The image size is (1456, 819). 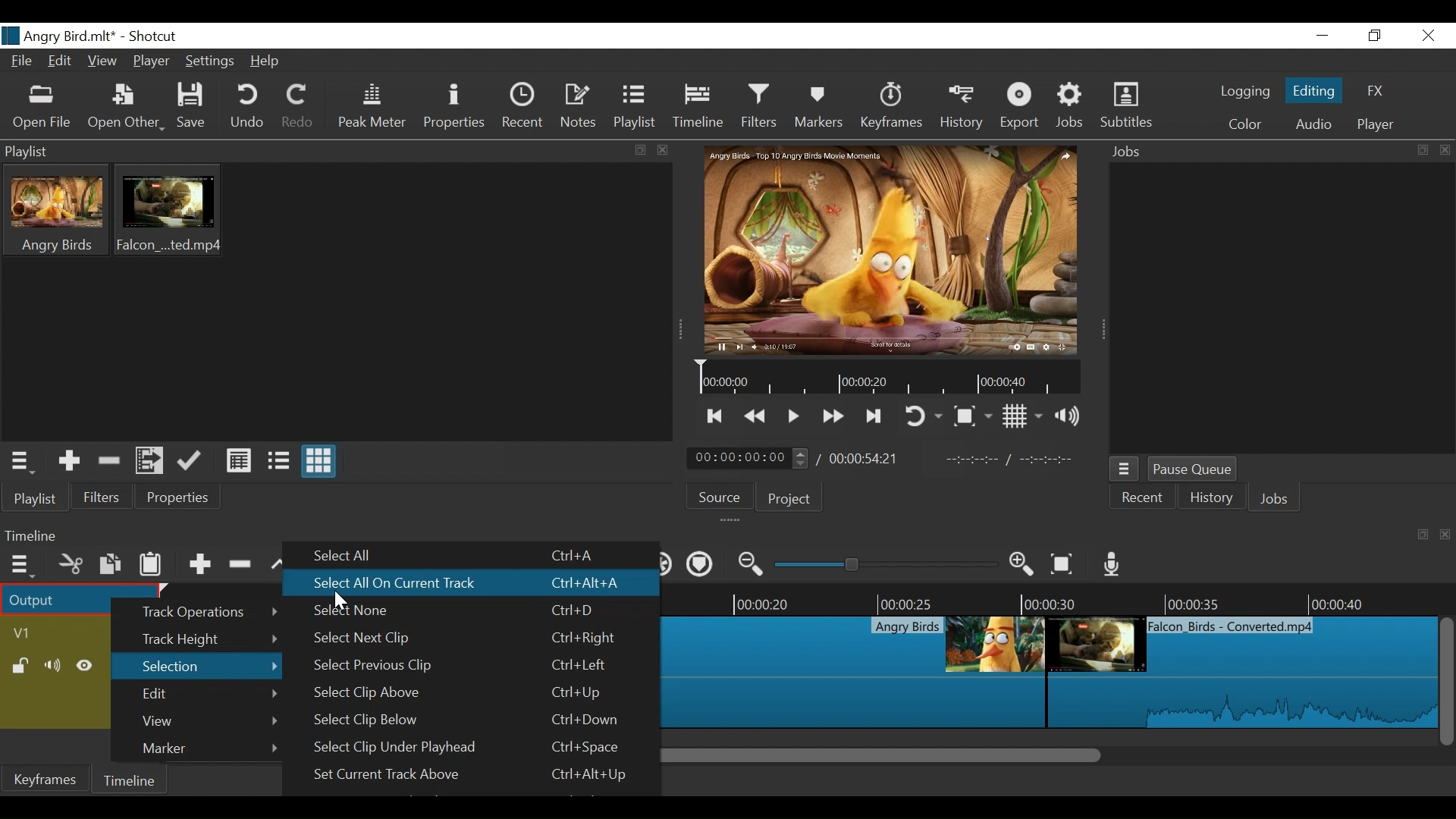 What do you see at coordinates (21, 463) in the screenshot?
I see `Playlist Menu` at bounding box center [21, 463].